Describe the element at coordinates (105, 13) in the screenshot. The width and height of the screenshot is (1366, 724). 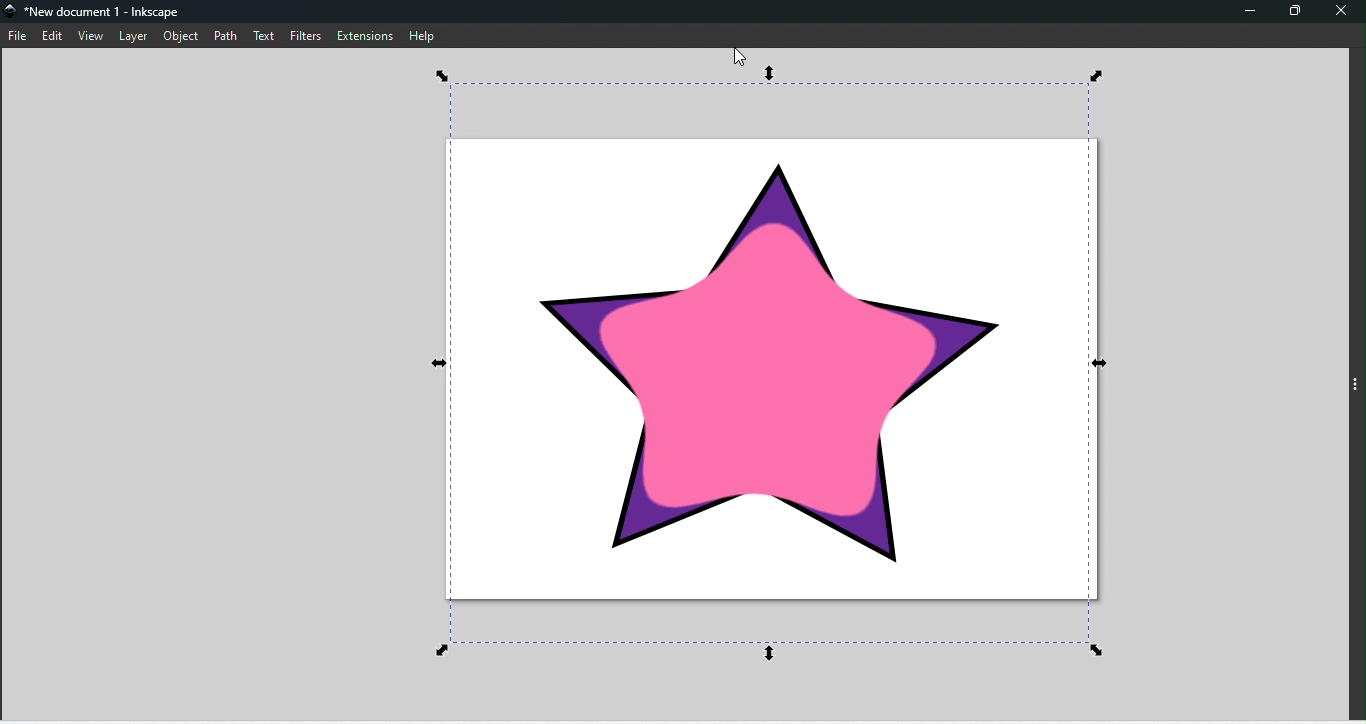
I see `*New document 1 - Inkscape` at that location.